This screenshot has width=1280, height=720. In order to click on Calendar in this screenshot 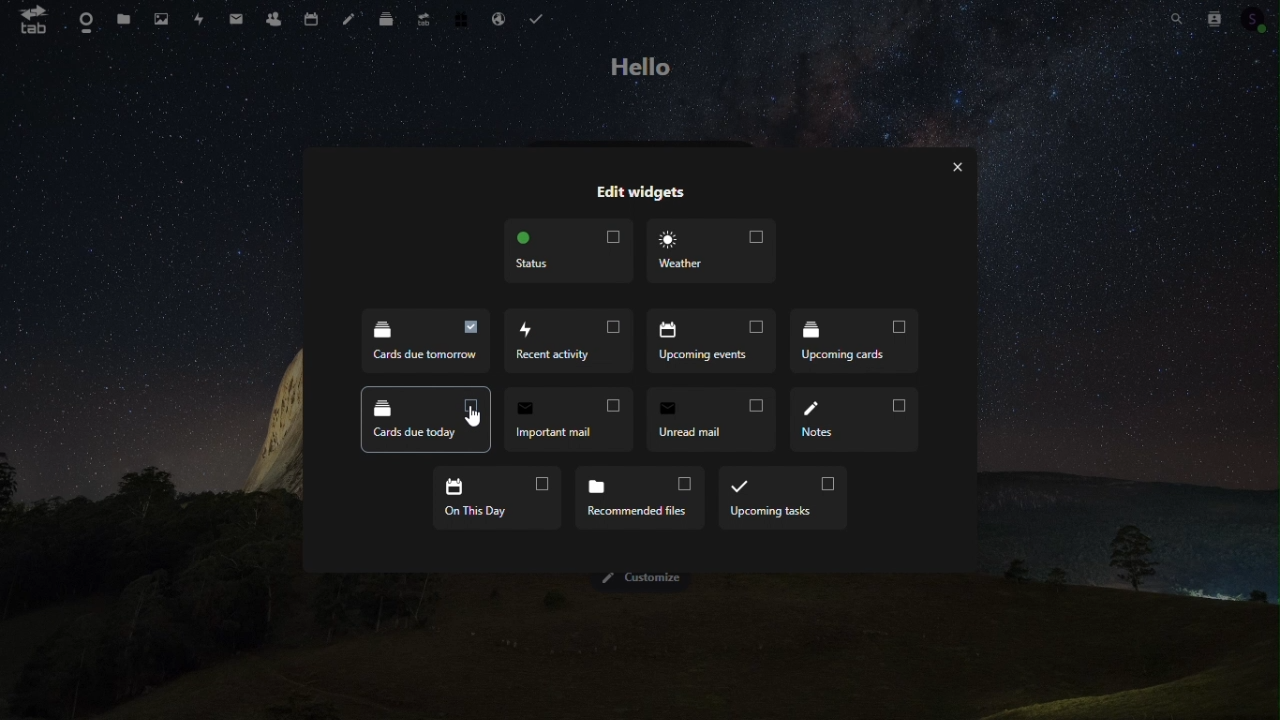, I will do `click(308, 18)`.